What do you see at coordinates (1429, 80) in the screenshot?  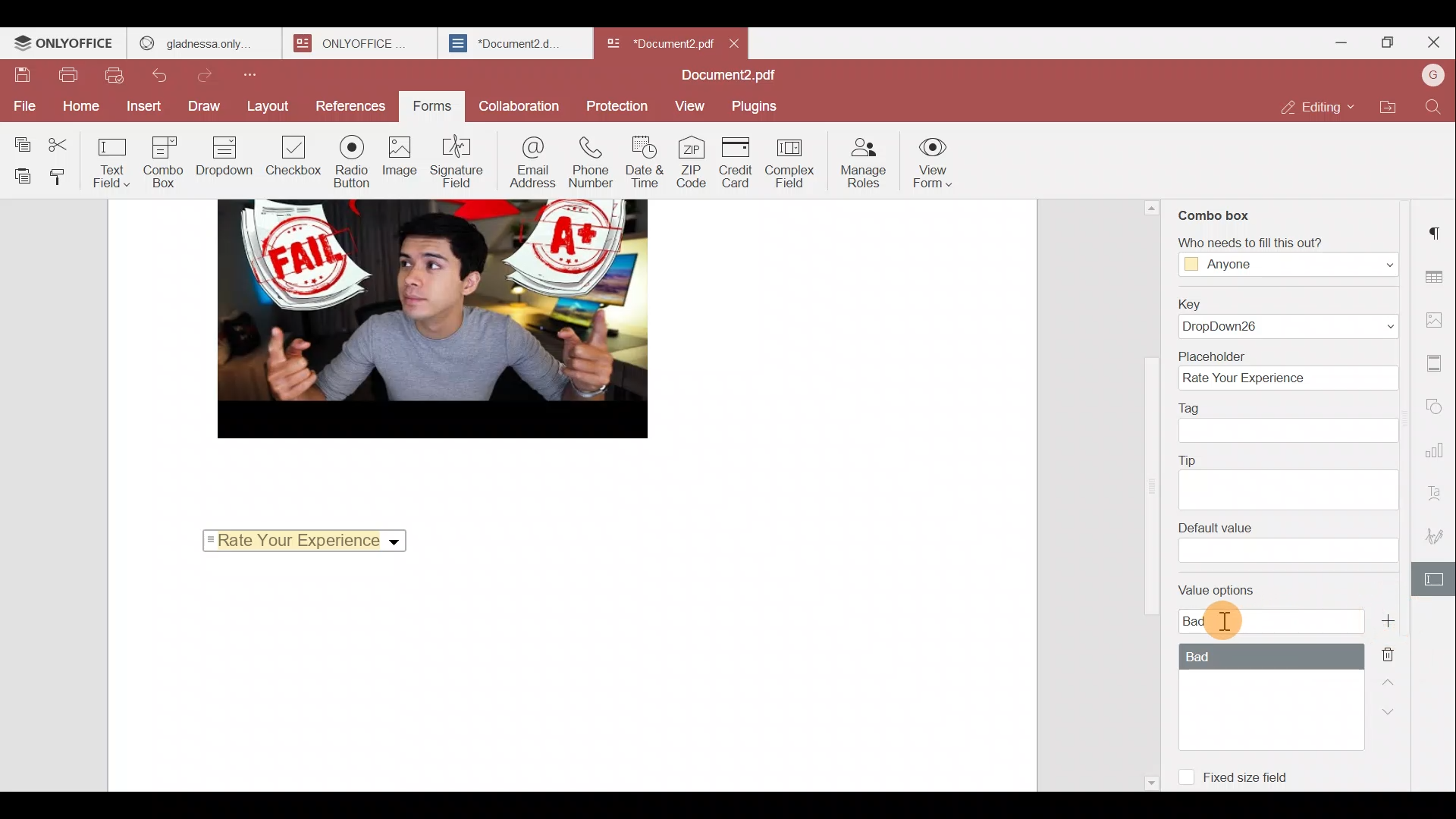 I see `Account name` at bounding box center [1429, 80].